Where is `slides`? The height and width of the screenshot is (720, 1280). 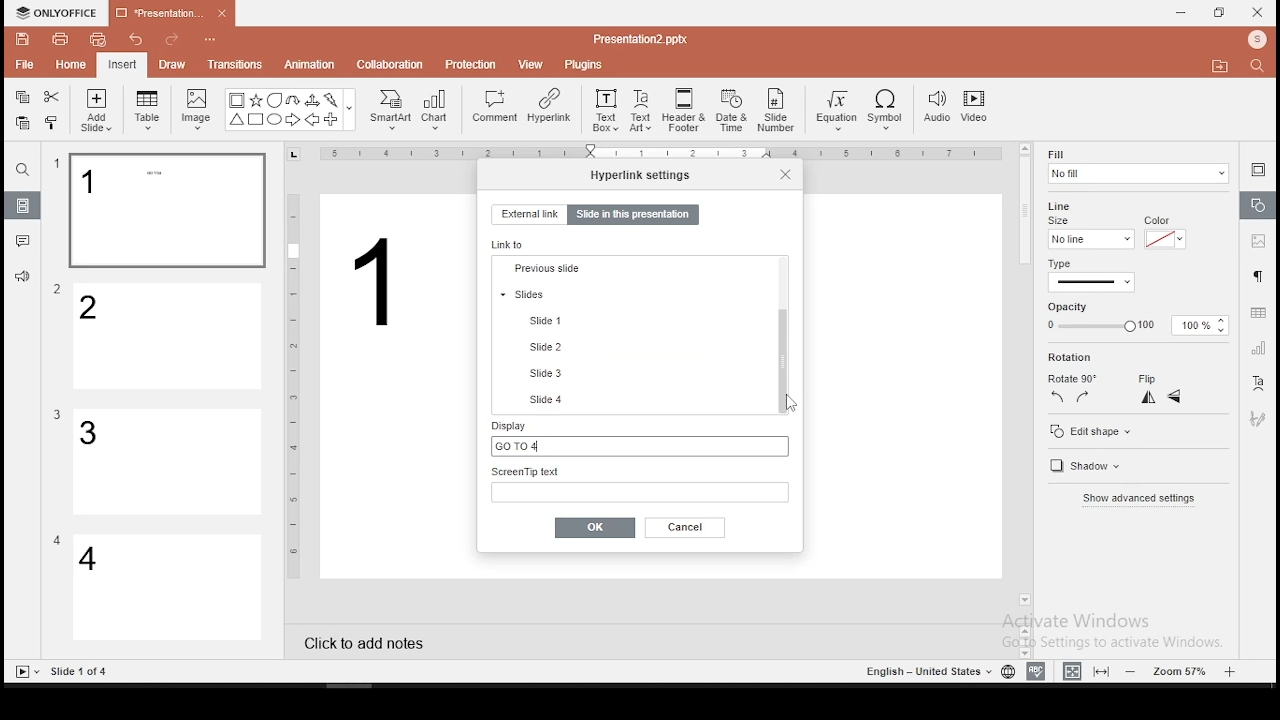 slides is located at coordinates (24, 206).